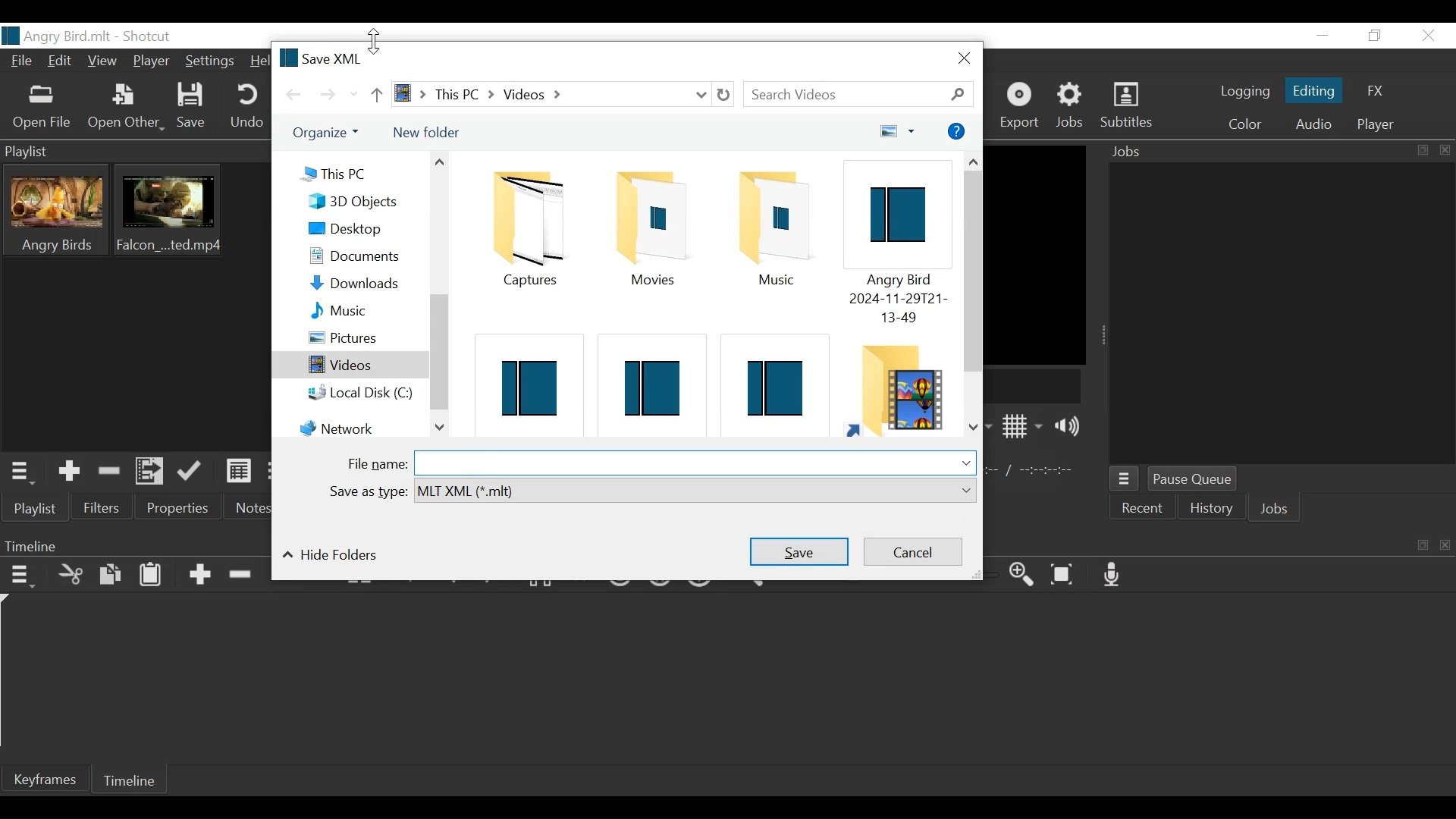 Image resolution: width=1456 pixels, height=819 pixels. Describe the element at coordinates (262, 61) in the screenshot. I see `Help` at that location.